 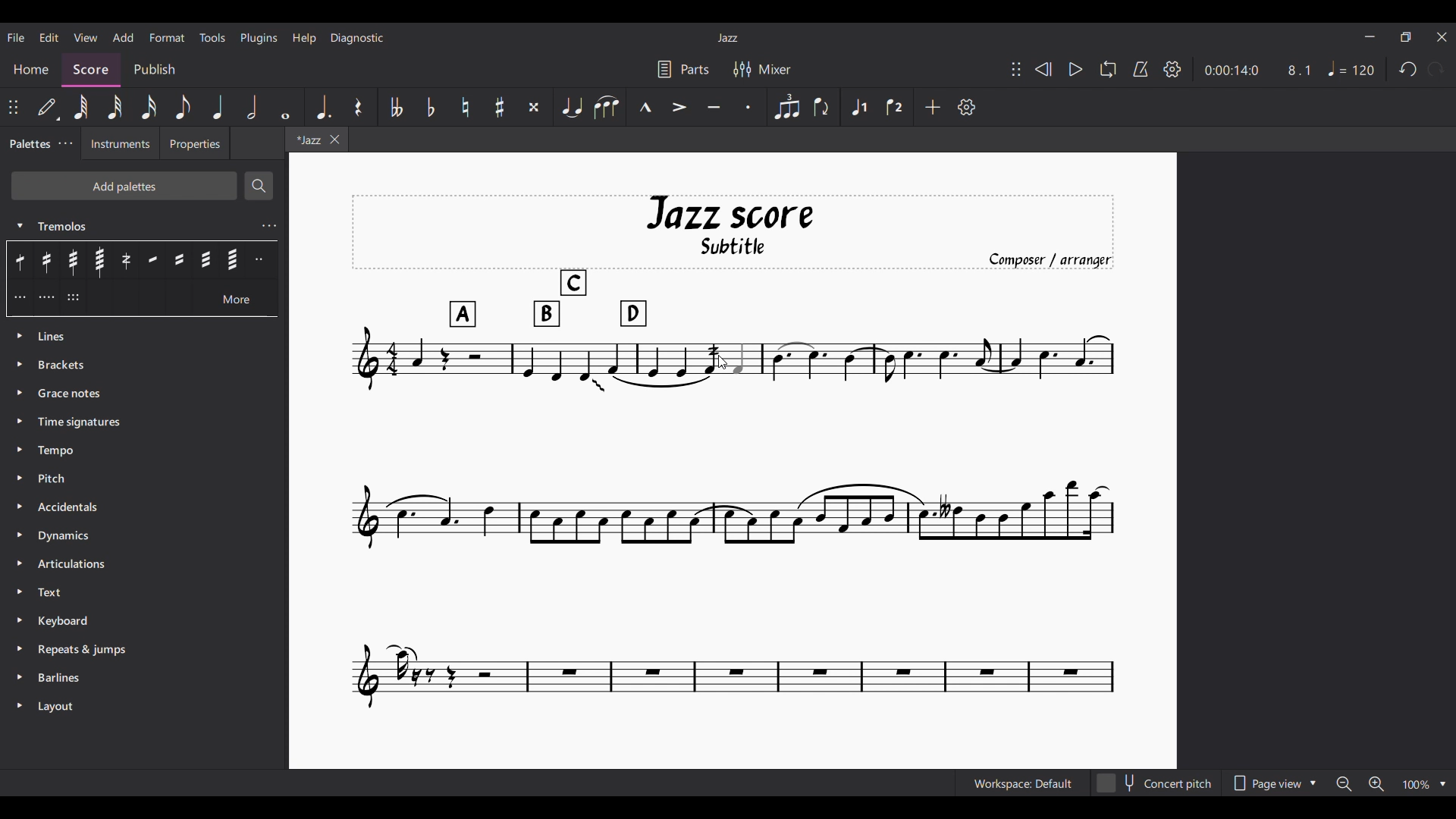 What do you see at coordinates (1076, 69) in the screenshot?
I see `Play` at bounding box center [1076, 69].